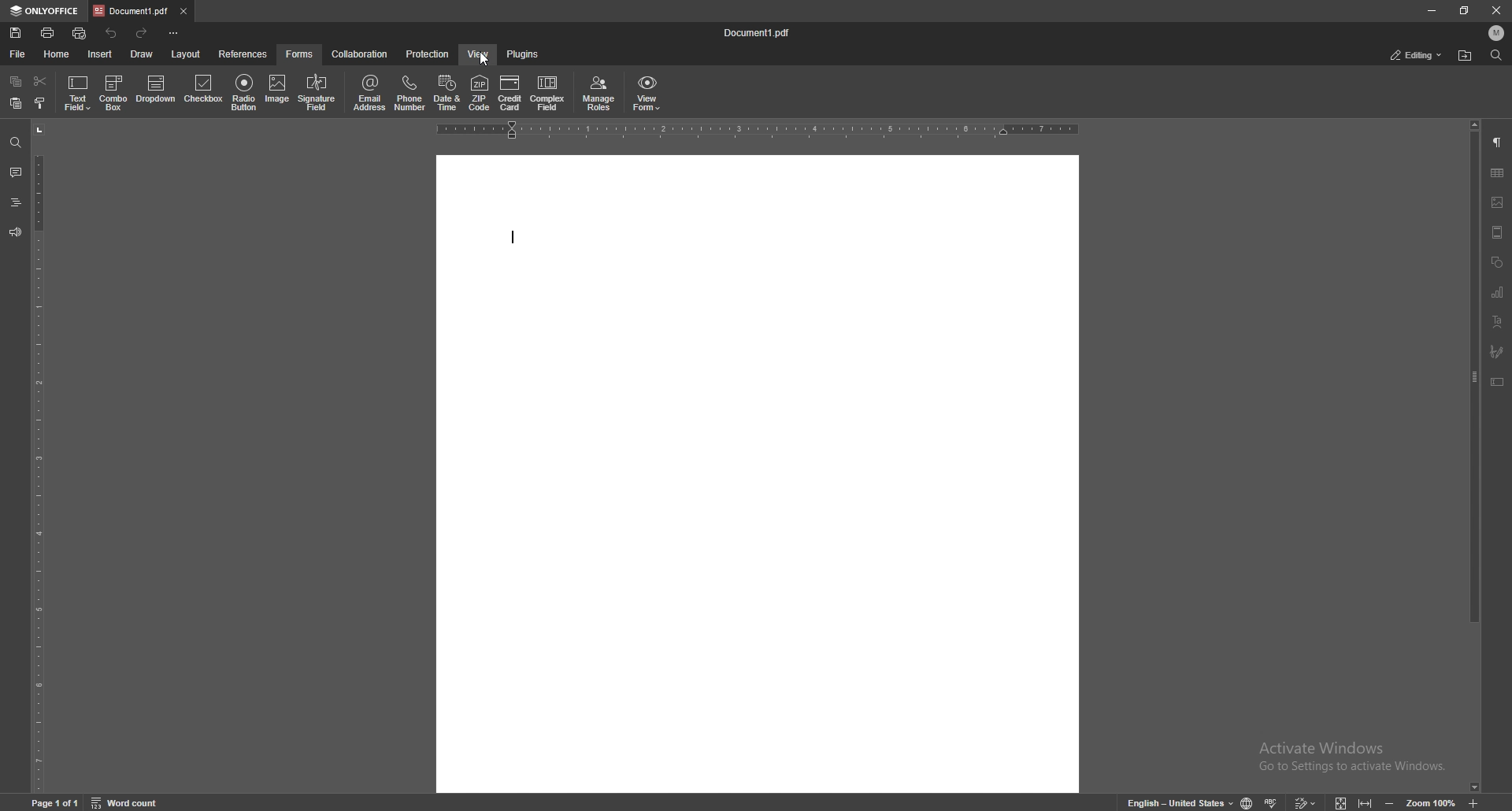  I want to click on change text language, so click(1180, 803).